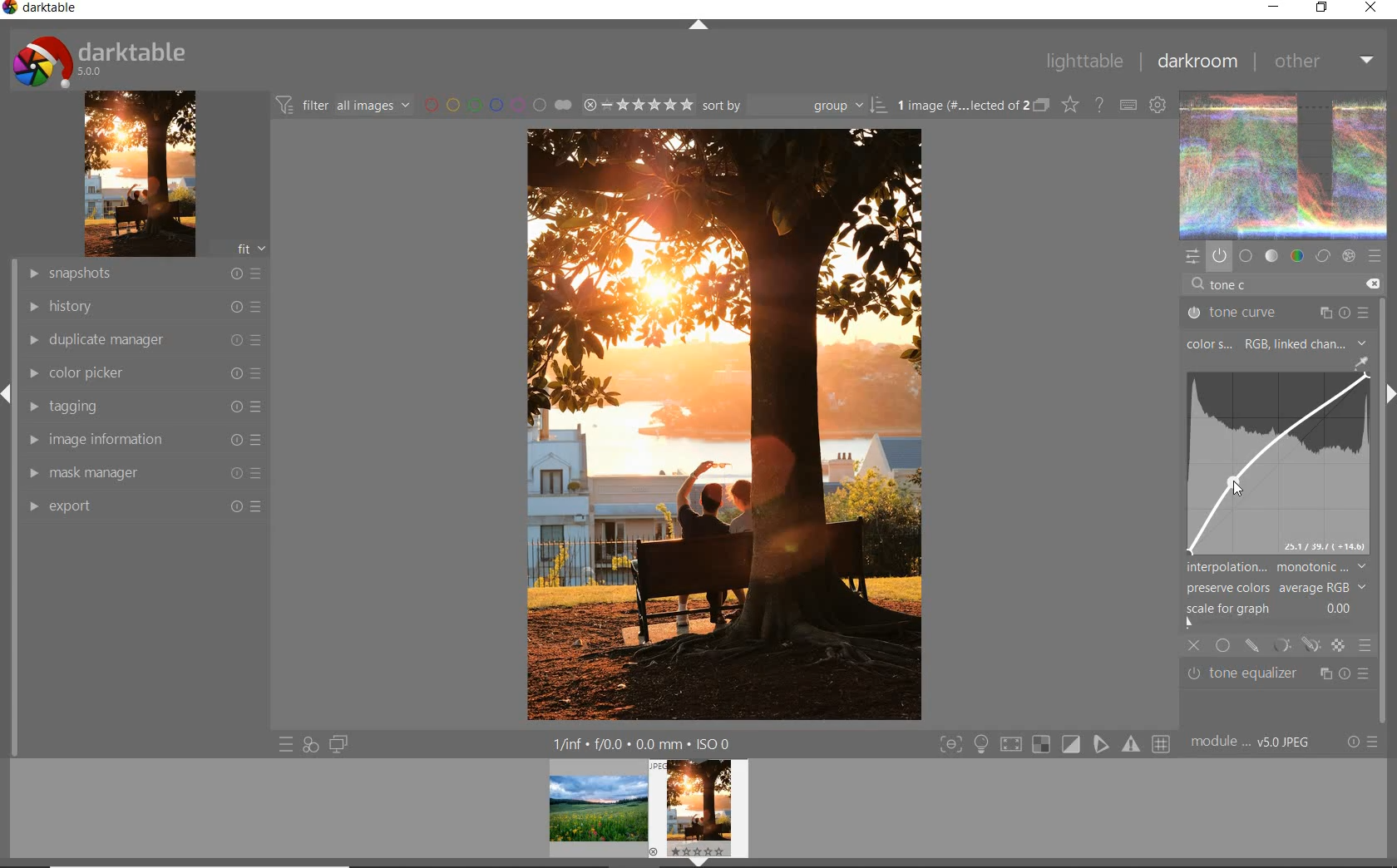 The width and height of the screenshot is (1397, 868). Describe the element at coordinates (1371, 8) in the screenshot. I see `close` at that location.